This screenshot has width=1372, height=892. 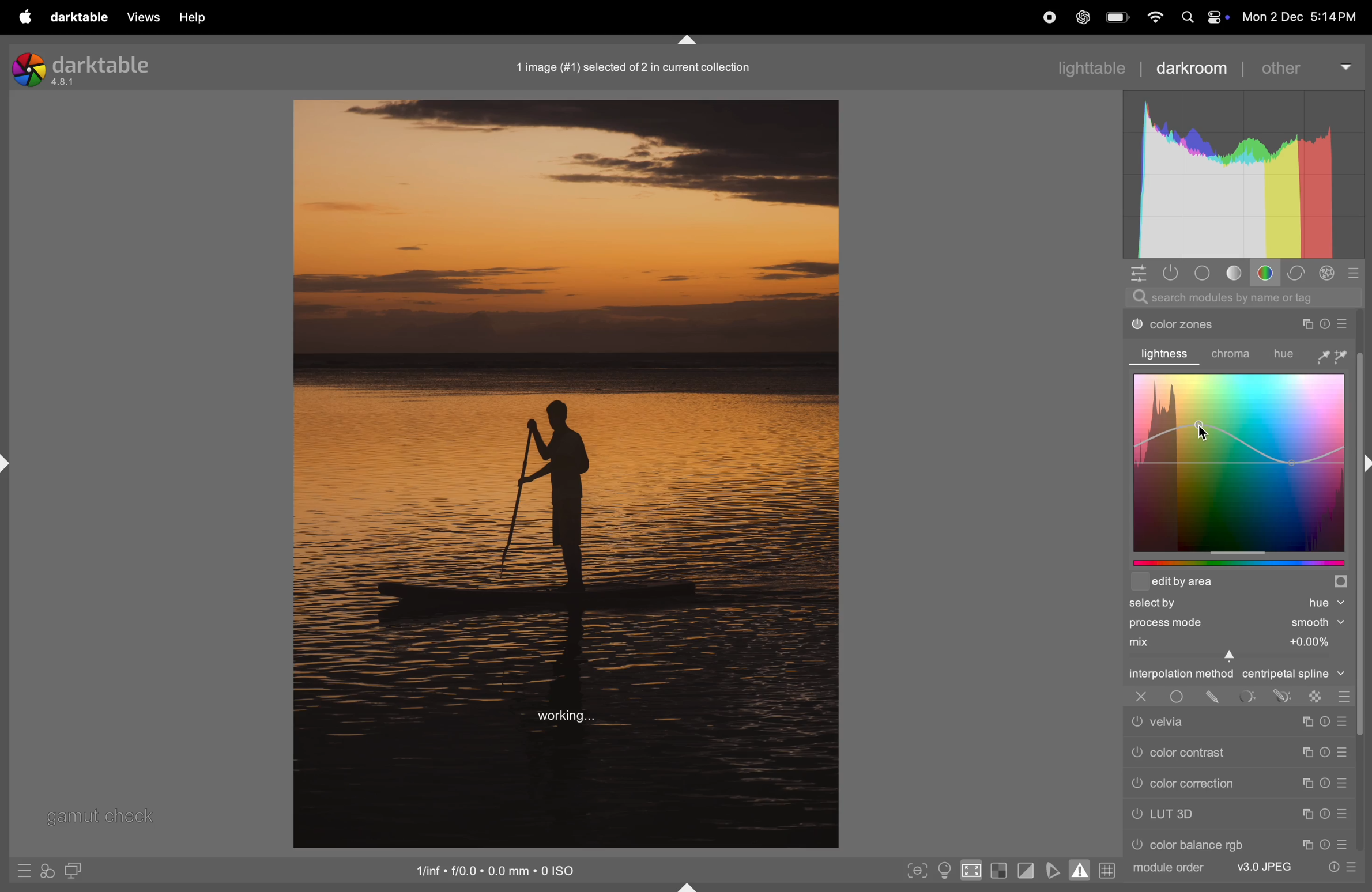 I want to click on , so click(x=1171, y=271).